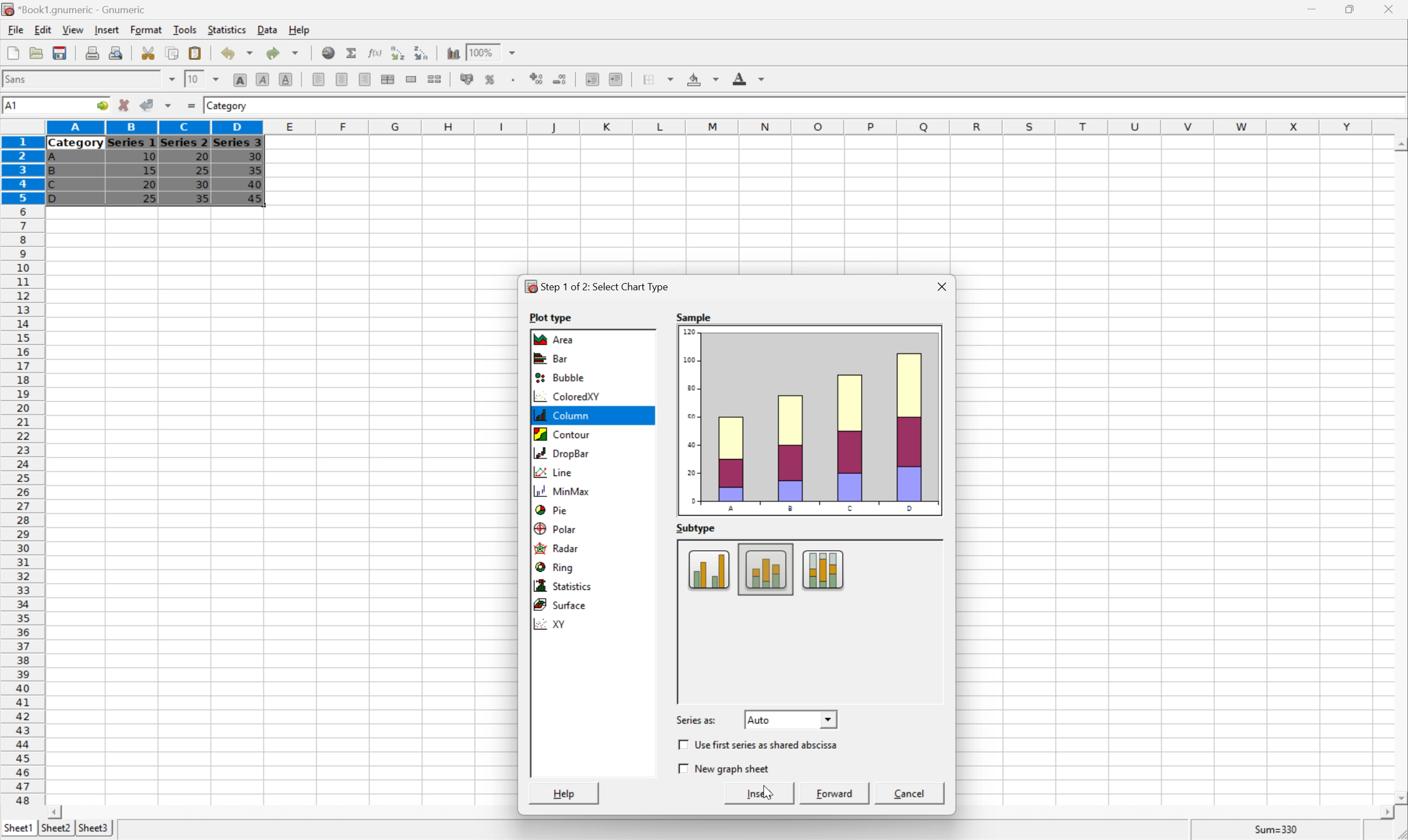 Image resolution: width=1408 pixels, height=840 pixels. I want to click on Align Right, so click(365, 80).